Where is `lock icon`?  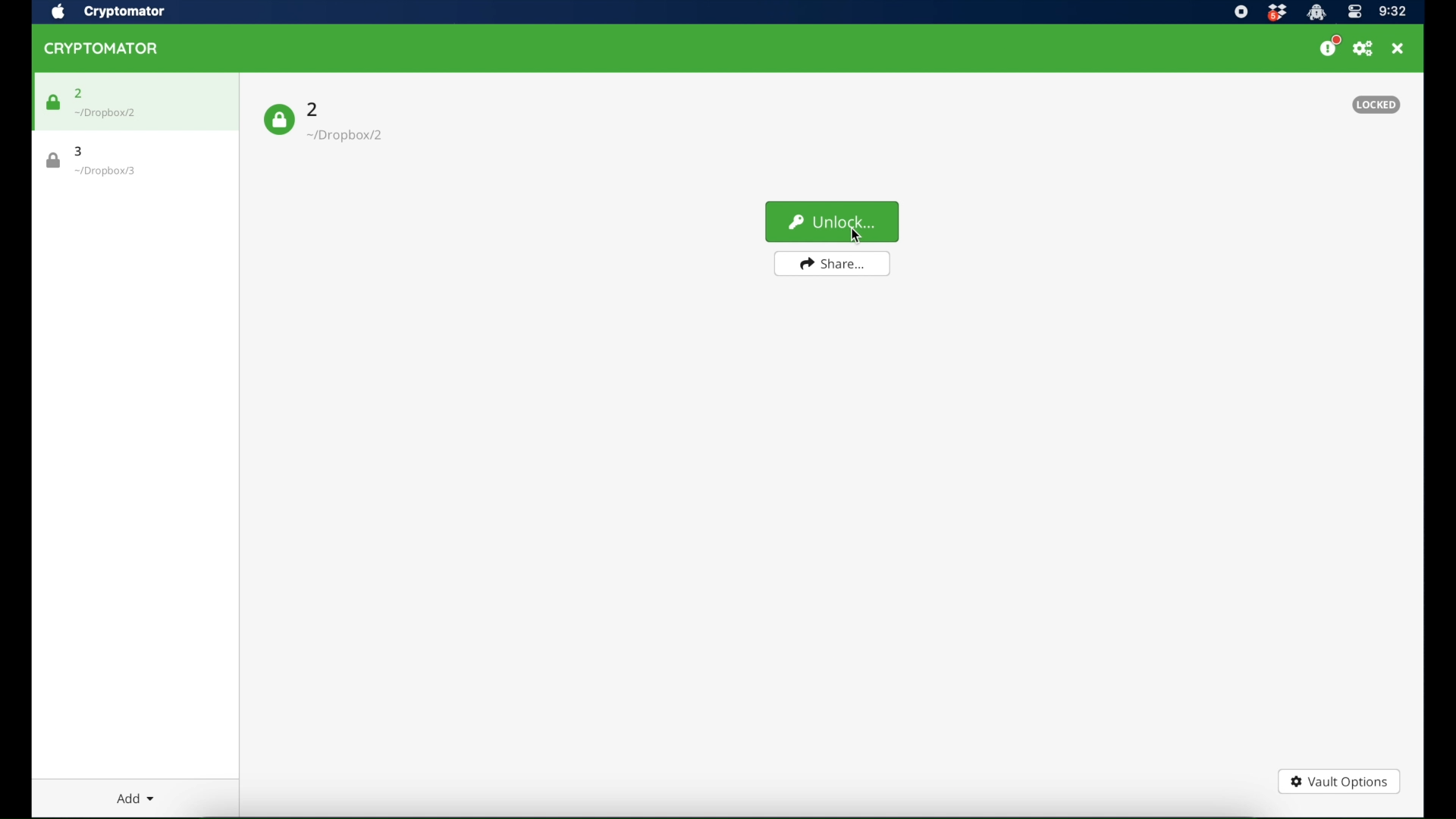 lock icon is located at coordinates (53, 161).